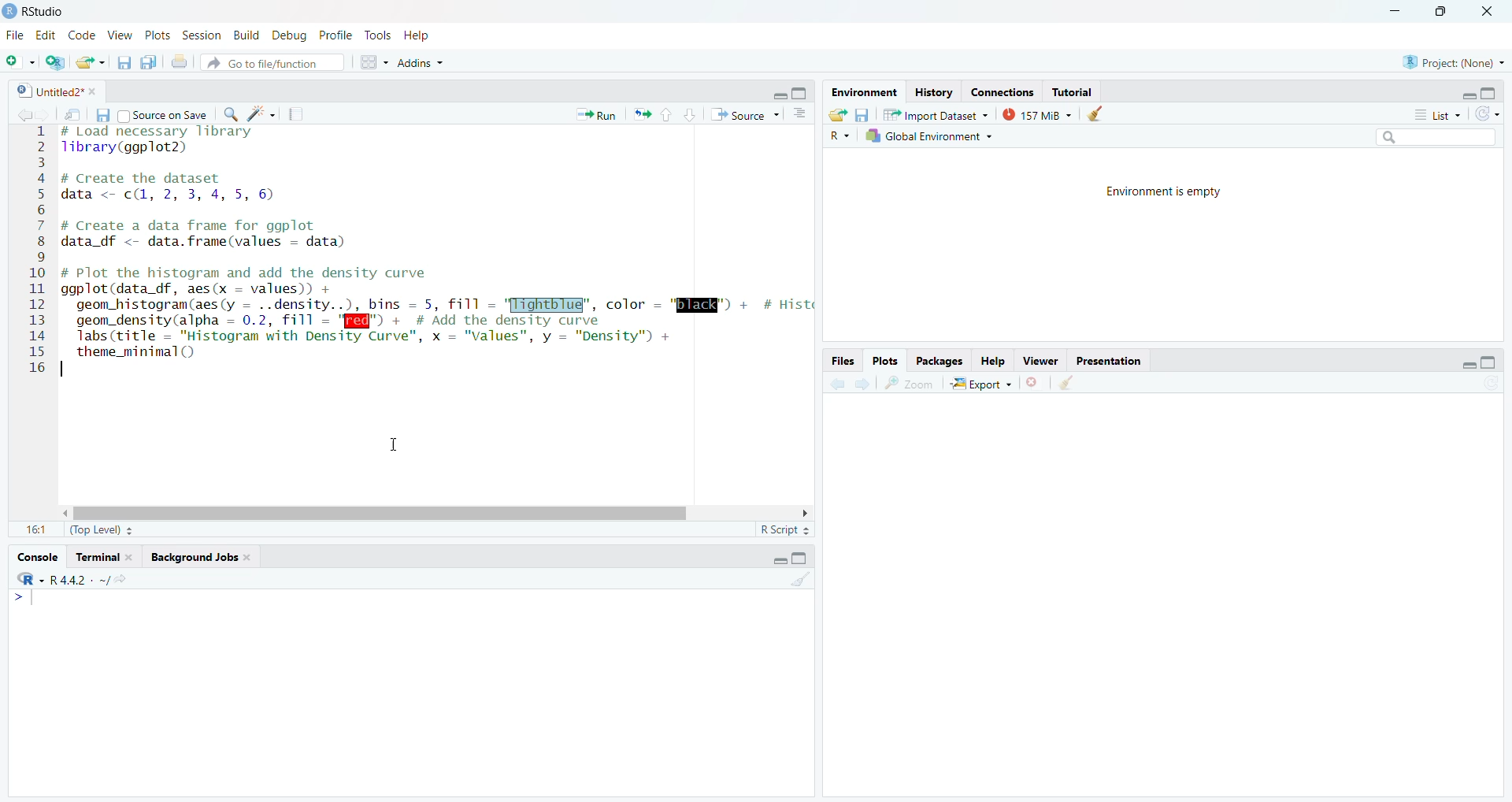 The width and height of the screenshot is (1512, 802). What do you see at coordinates (101, 529) in the screenshot?
I see `(Top Level)` at bounding box center [101, 529].